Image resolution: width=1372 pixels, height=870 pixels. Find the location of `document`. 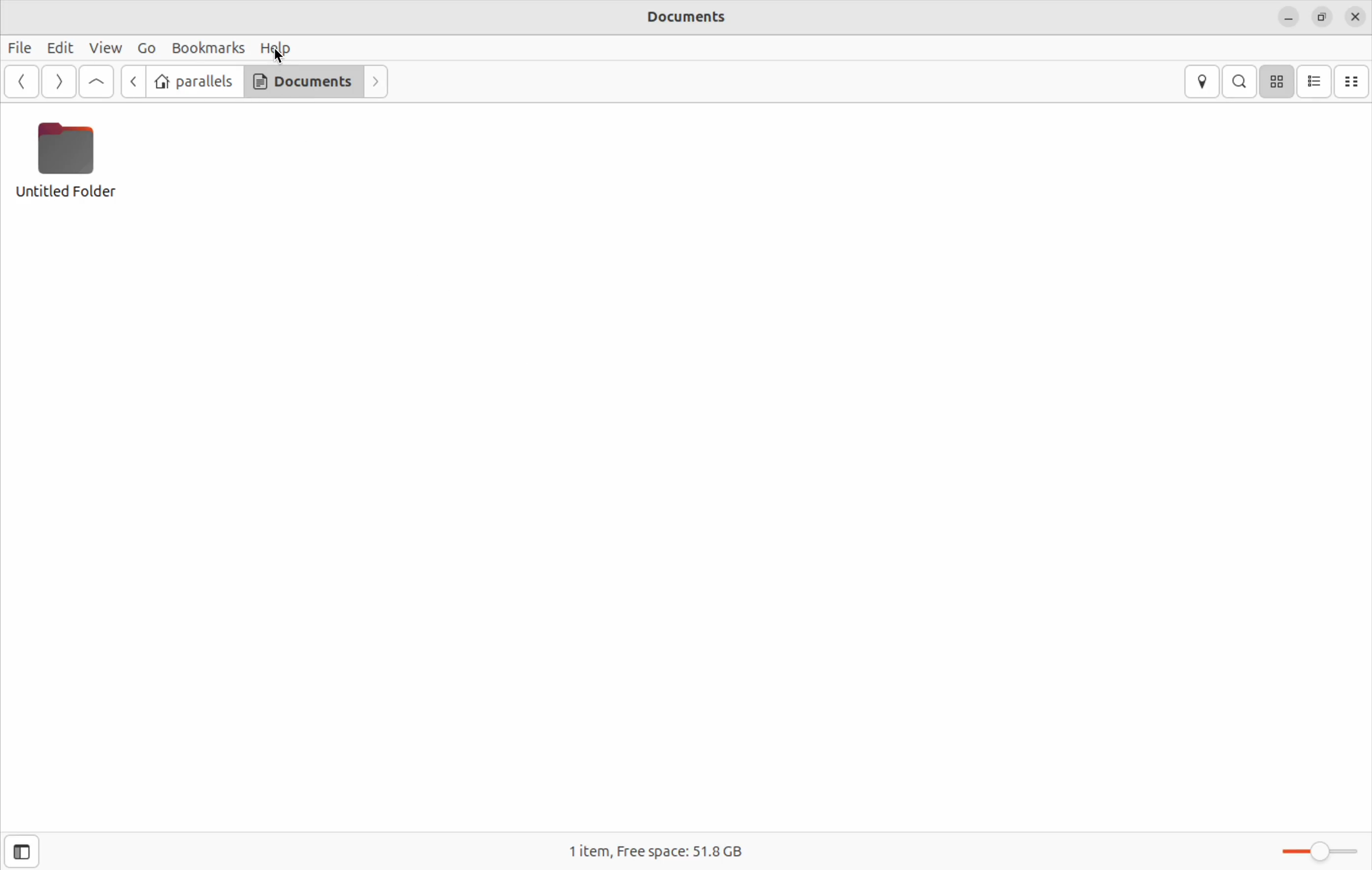

document is located at coordinates (683, 19).